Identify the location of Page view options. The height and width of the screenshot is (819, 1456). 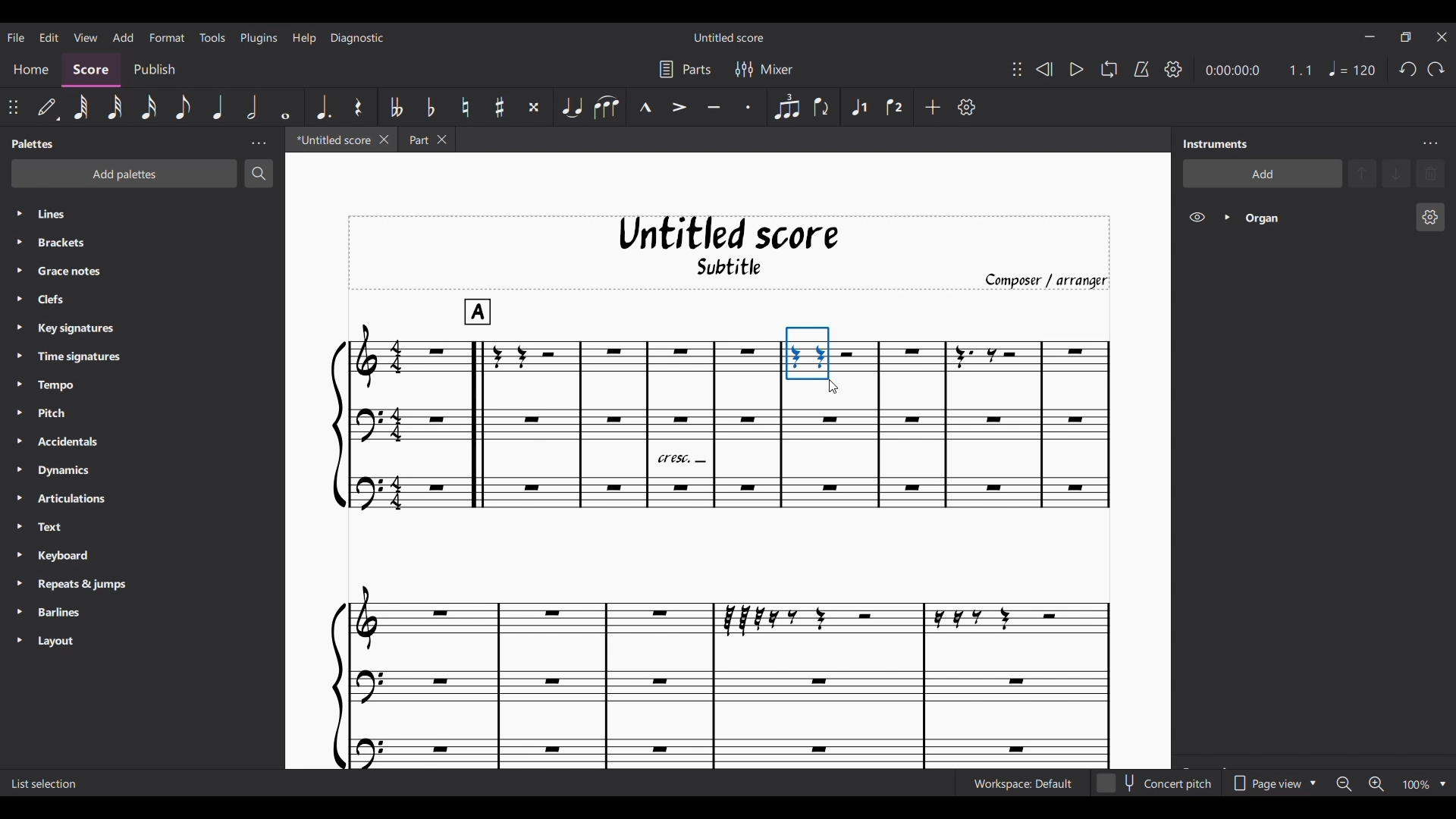
(1272, 783).